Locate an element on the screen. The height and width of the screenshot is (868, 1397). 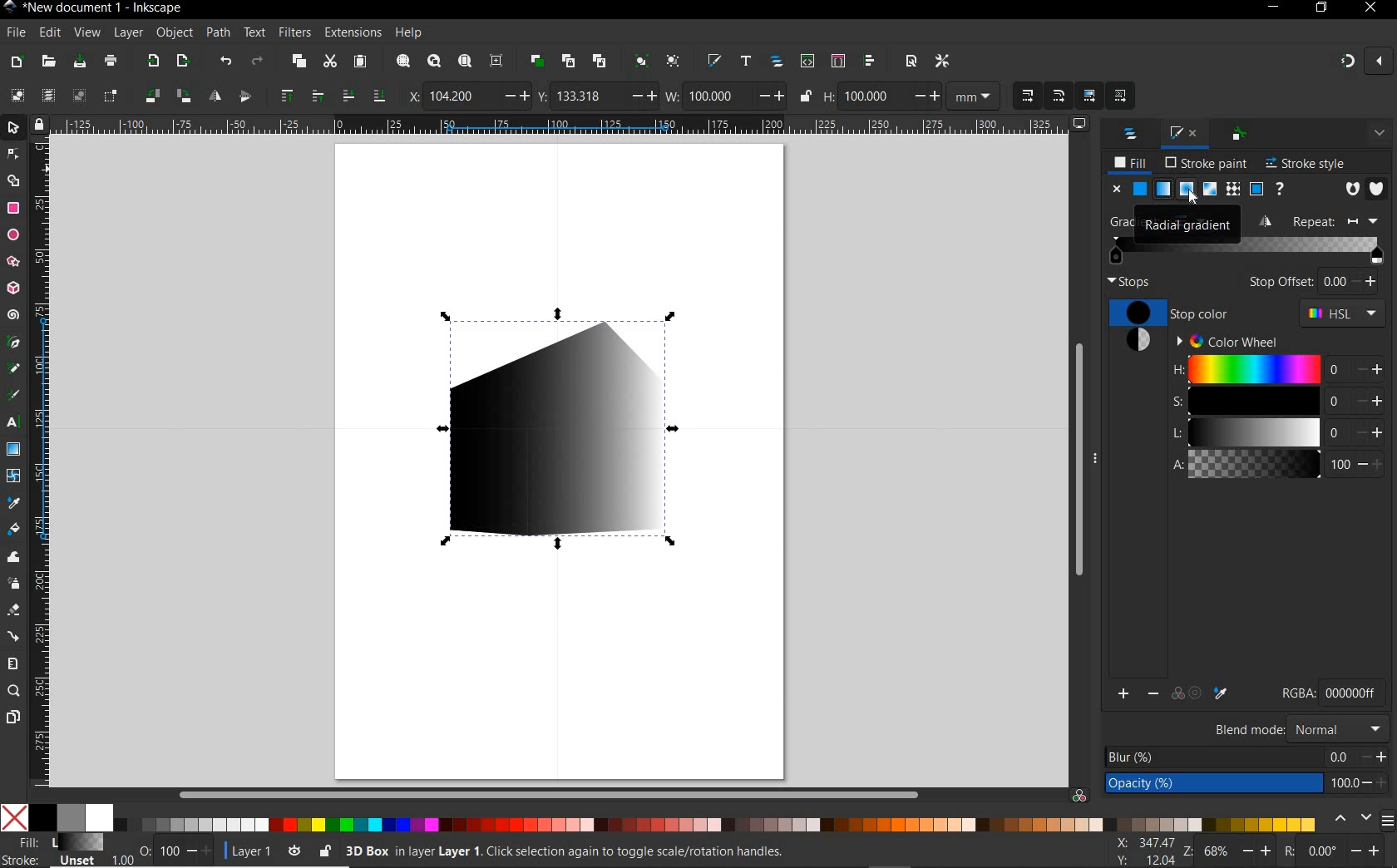
OPEN SELECTORS is located at coordinates (838, 62).